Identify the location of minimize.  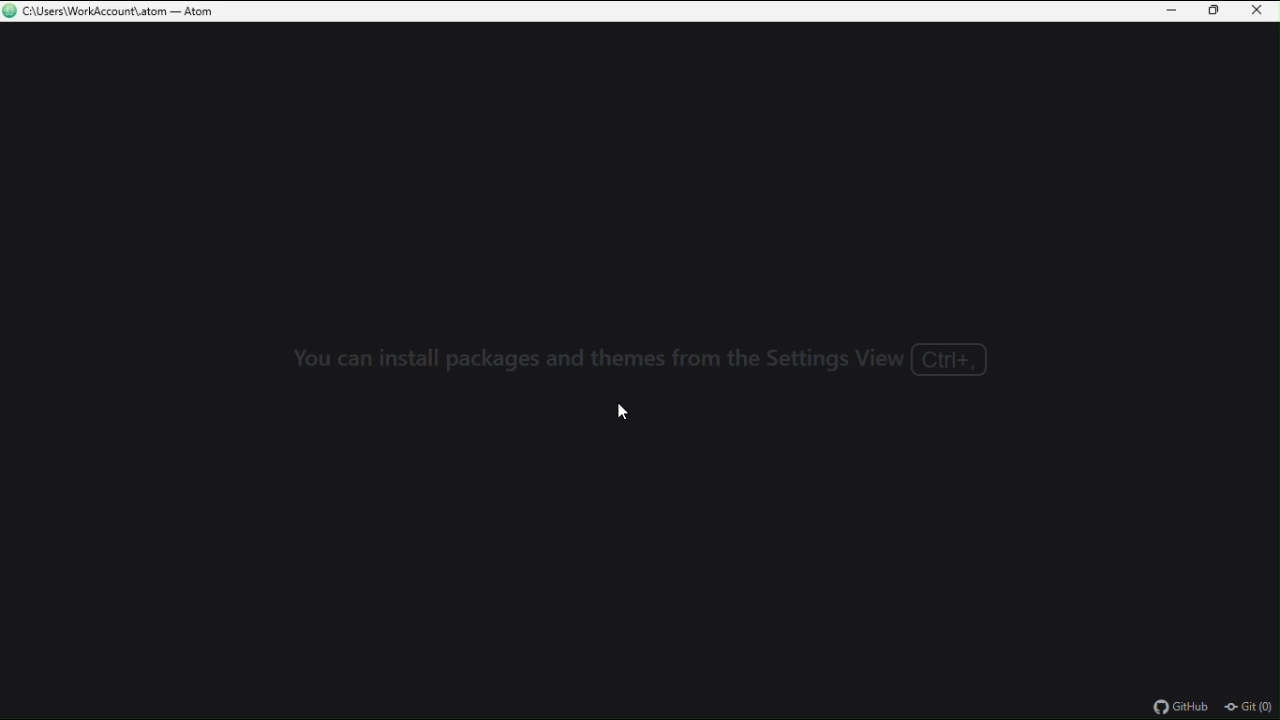
(1175, 11).